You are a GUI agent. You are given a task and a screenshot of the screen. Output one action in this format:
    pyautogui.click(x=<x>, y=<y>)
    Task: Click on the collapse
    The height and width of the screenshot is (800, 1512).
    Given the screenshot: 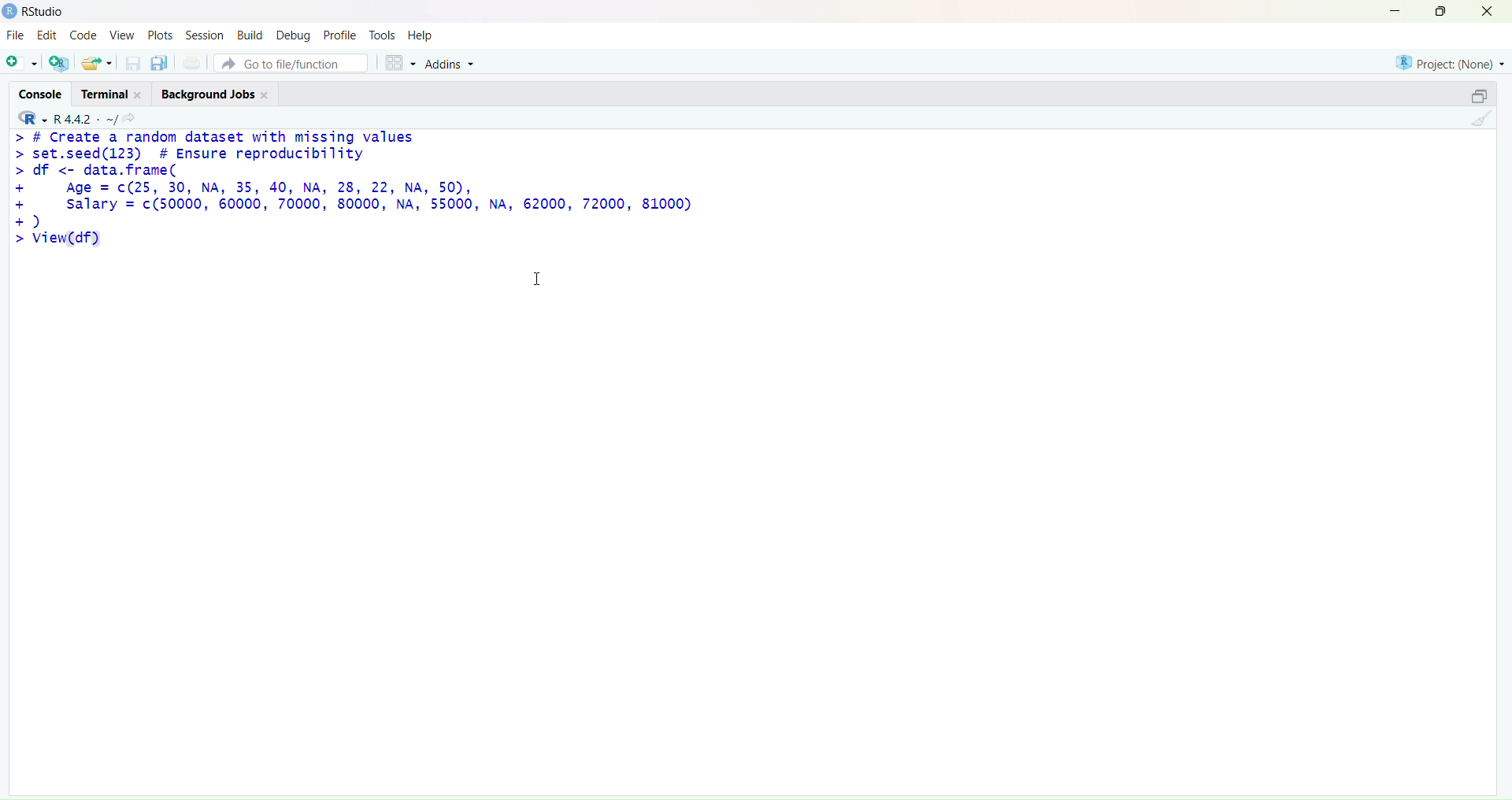 What is the action you would take?
    pyautogui.click(x=1481, y=95)
    